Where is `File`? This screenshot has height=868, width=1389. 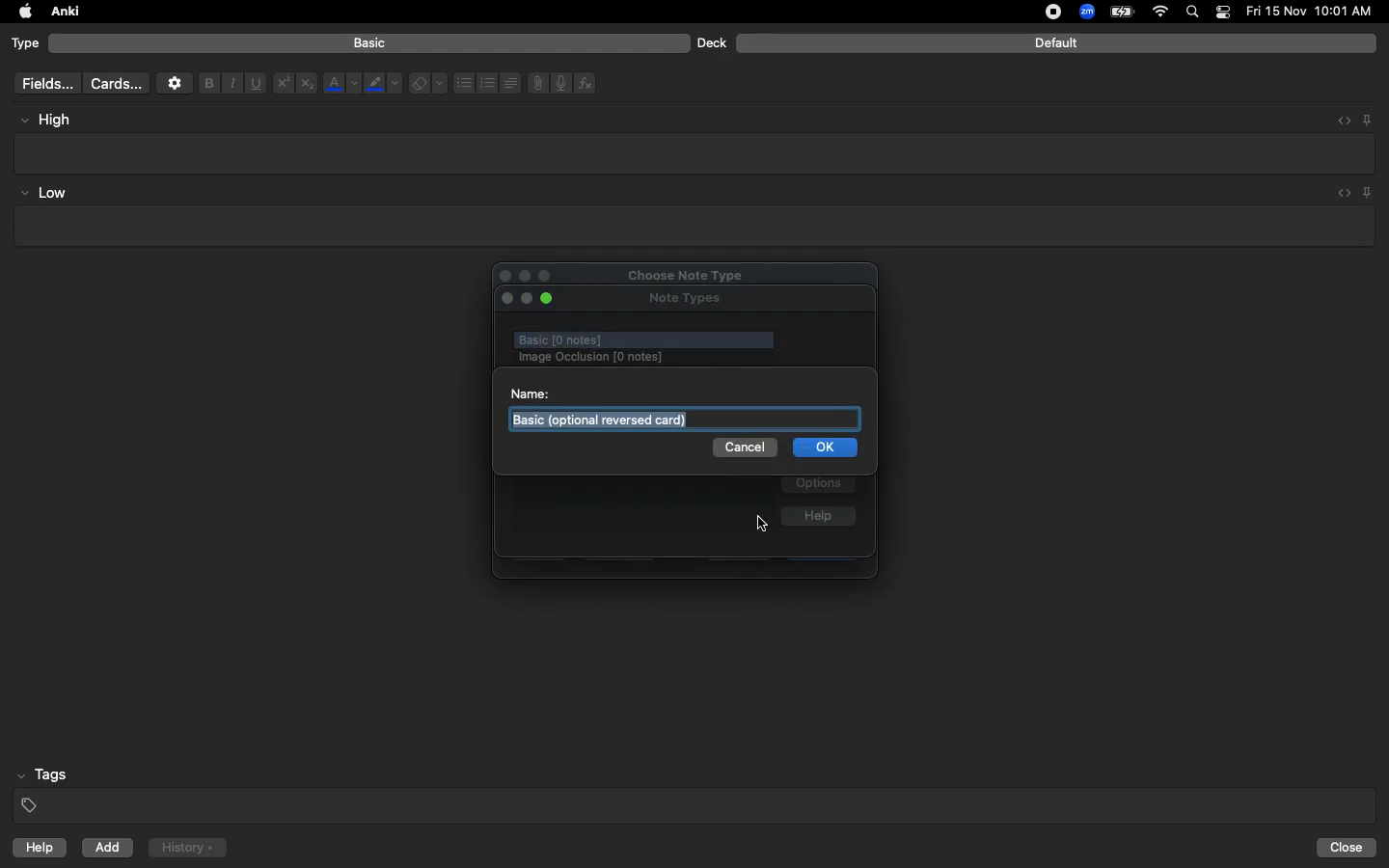
File is located at coordinates (534, 83).